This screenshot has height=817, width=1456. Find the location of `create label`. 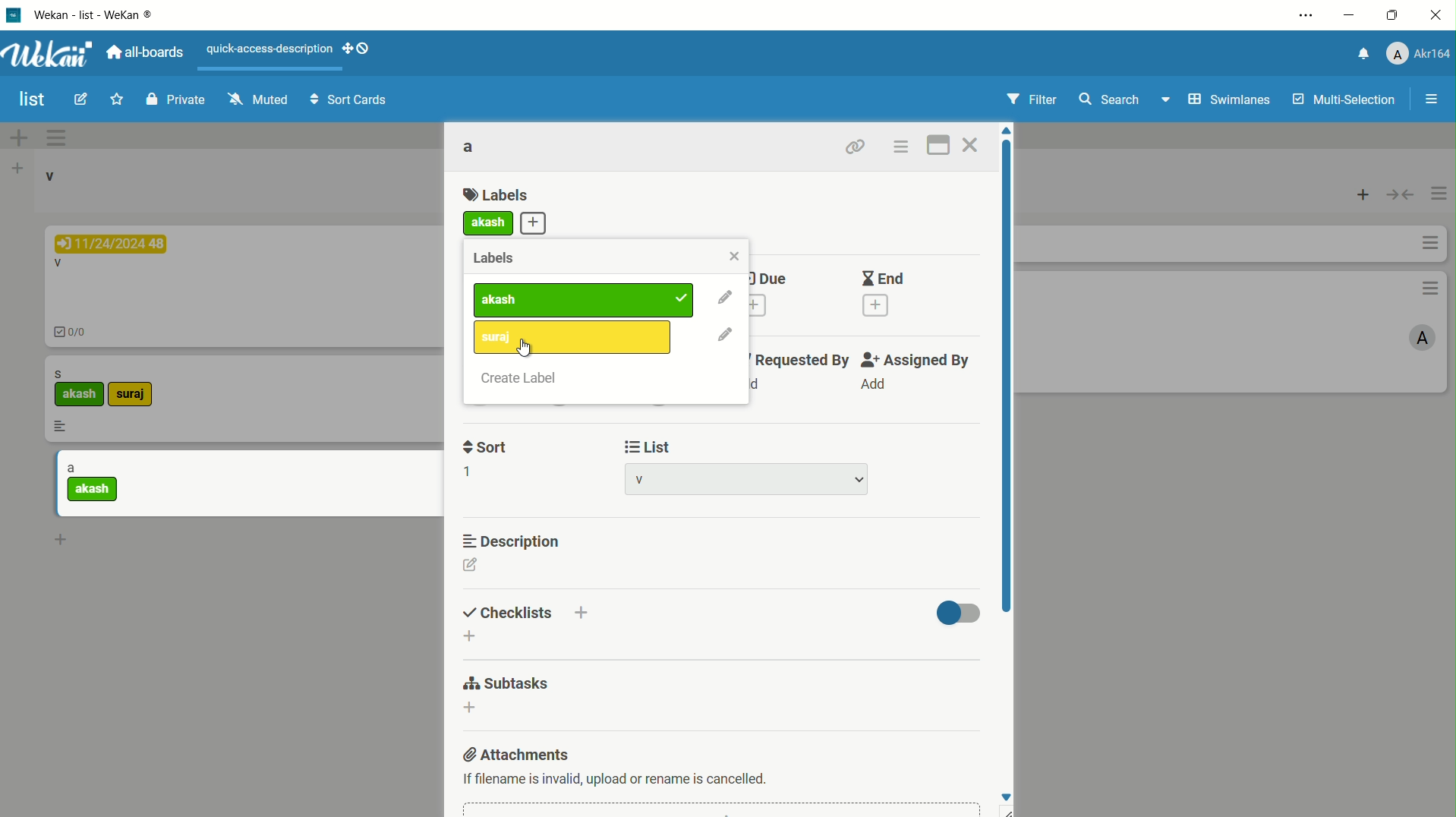

create label is located at coordinates (518, 377).